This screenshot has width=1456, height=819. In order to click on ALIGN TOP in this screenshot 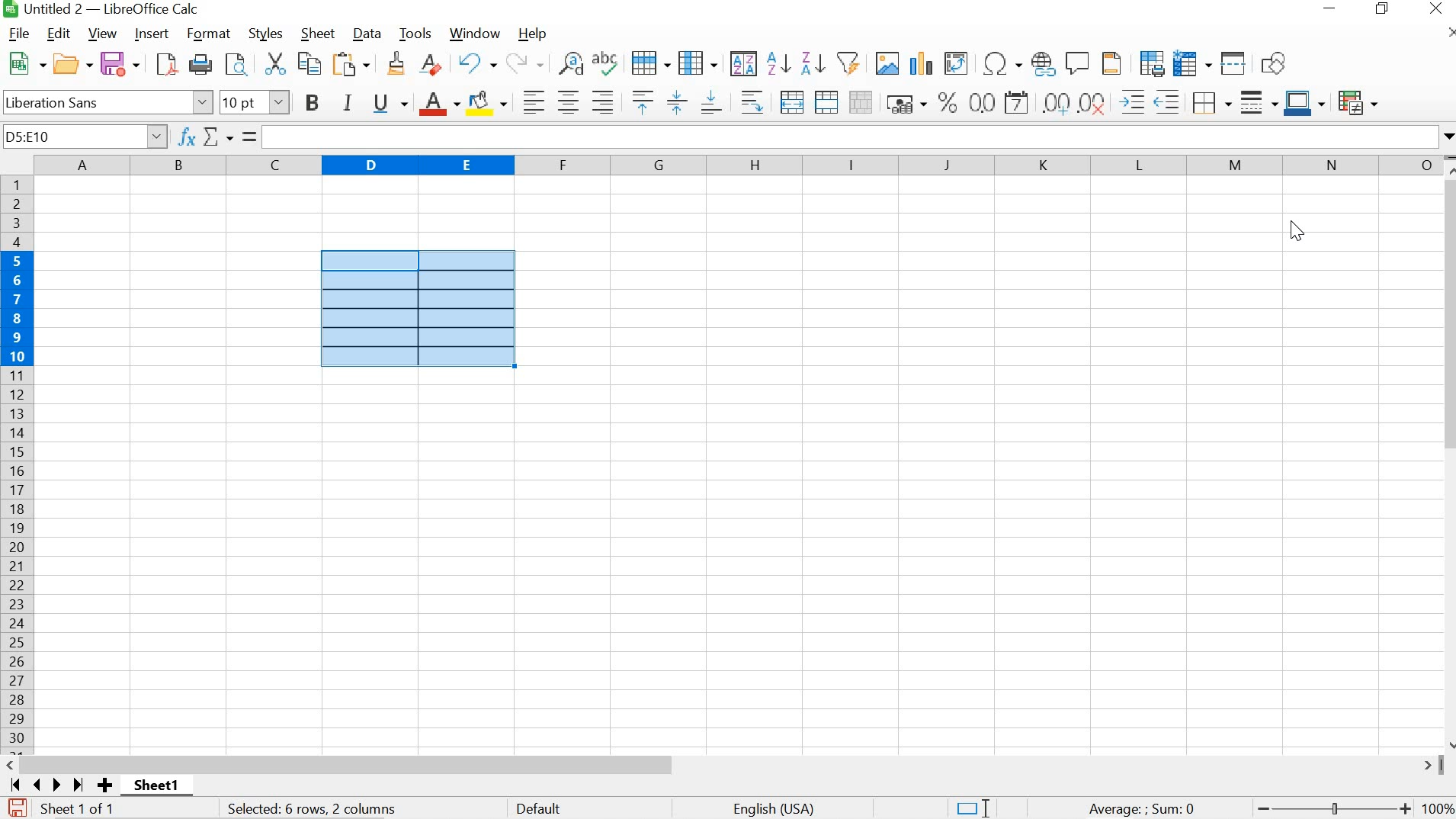, I will do `click(643, 101)`.